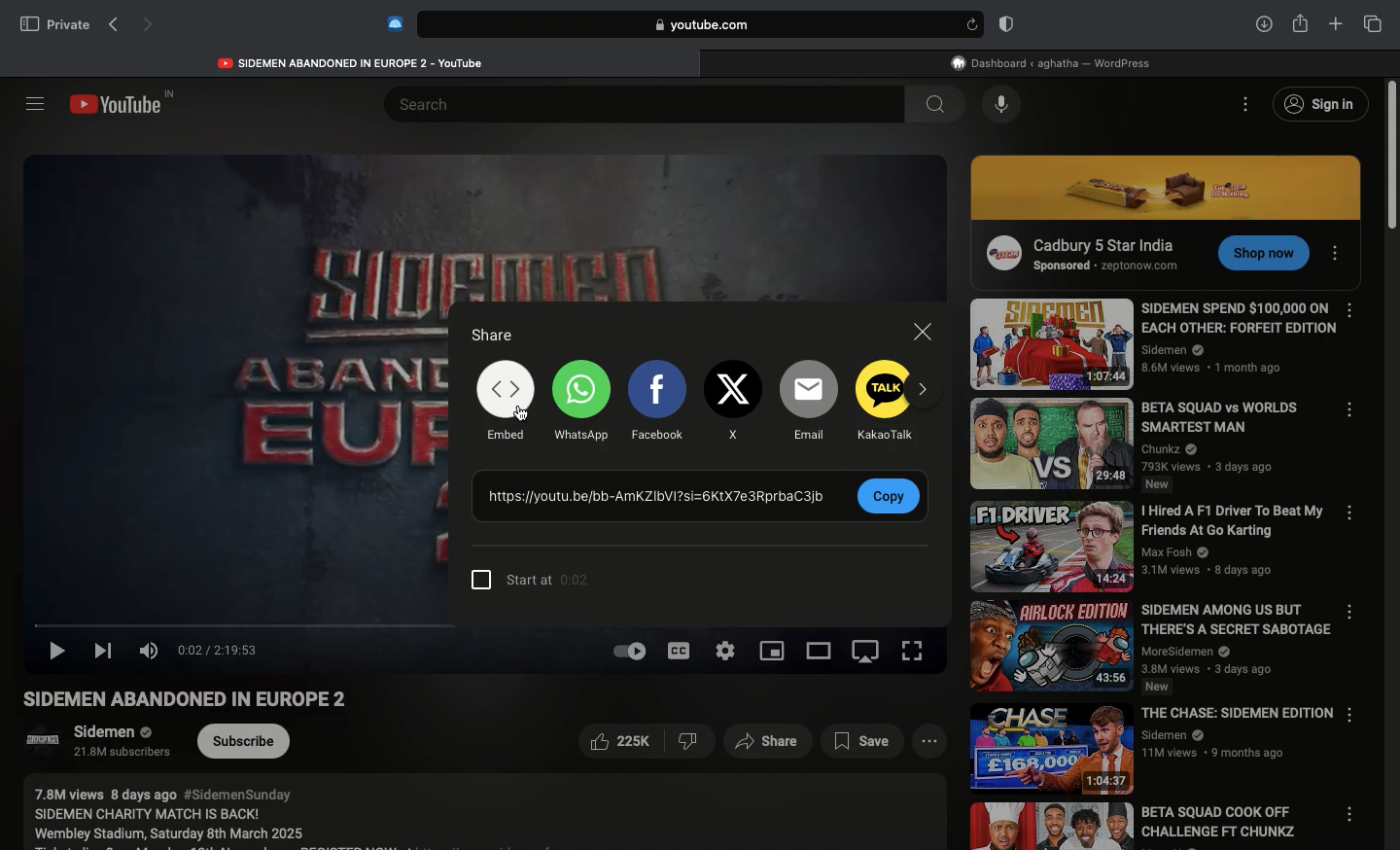 The height and width of the screenshot is (850, 1400). Describe the element at coordinates (1355, 614) in the screenshot. I see `Options` at that location.